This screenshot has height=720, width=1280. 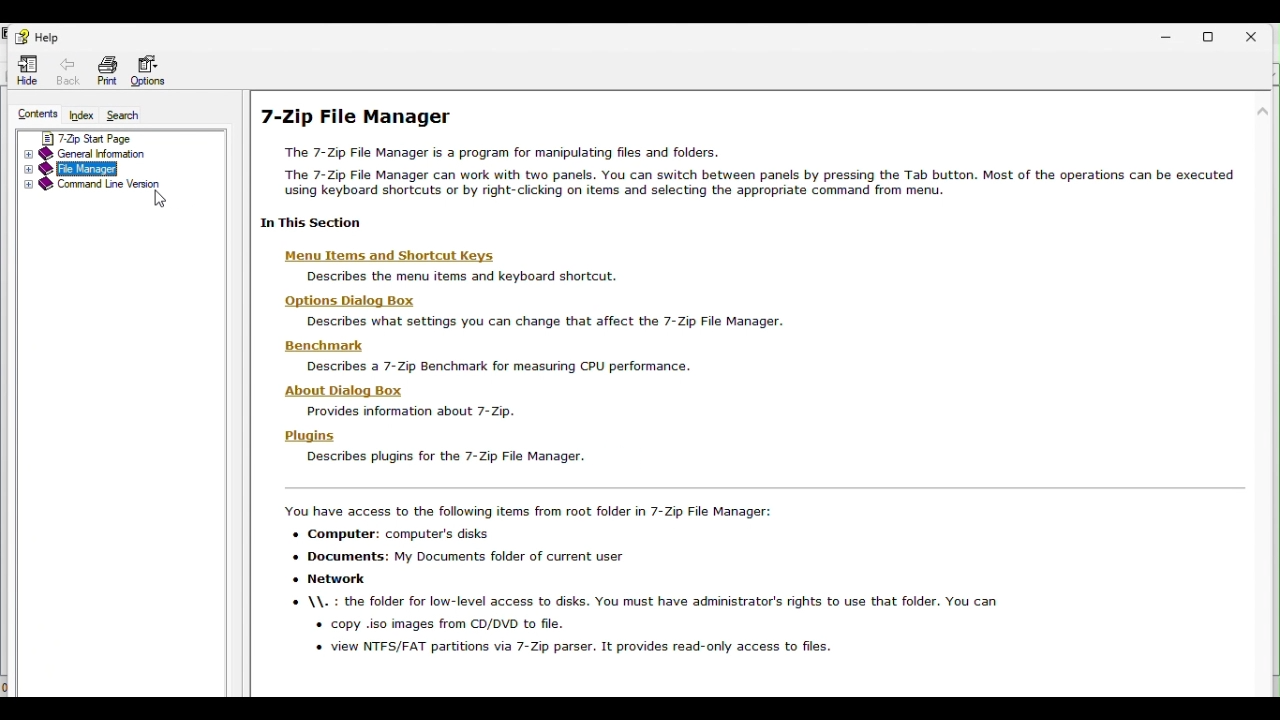 I want to click on Cursor, so click(x=161, y=202).